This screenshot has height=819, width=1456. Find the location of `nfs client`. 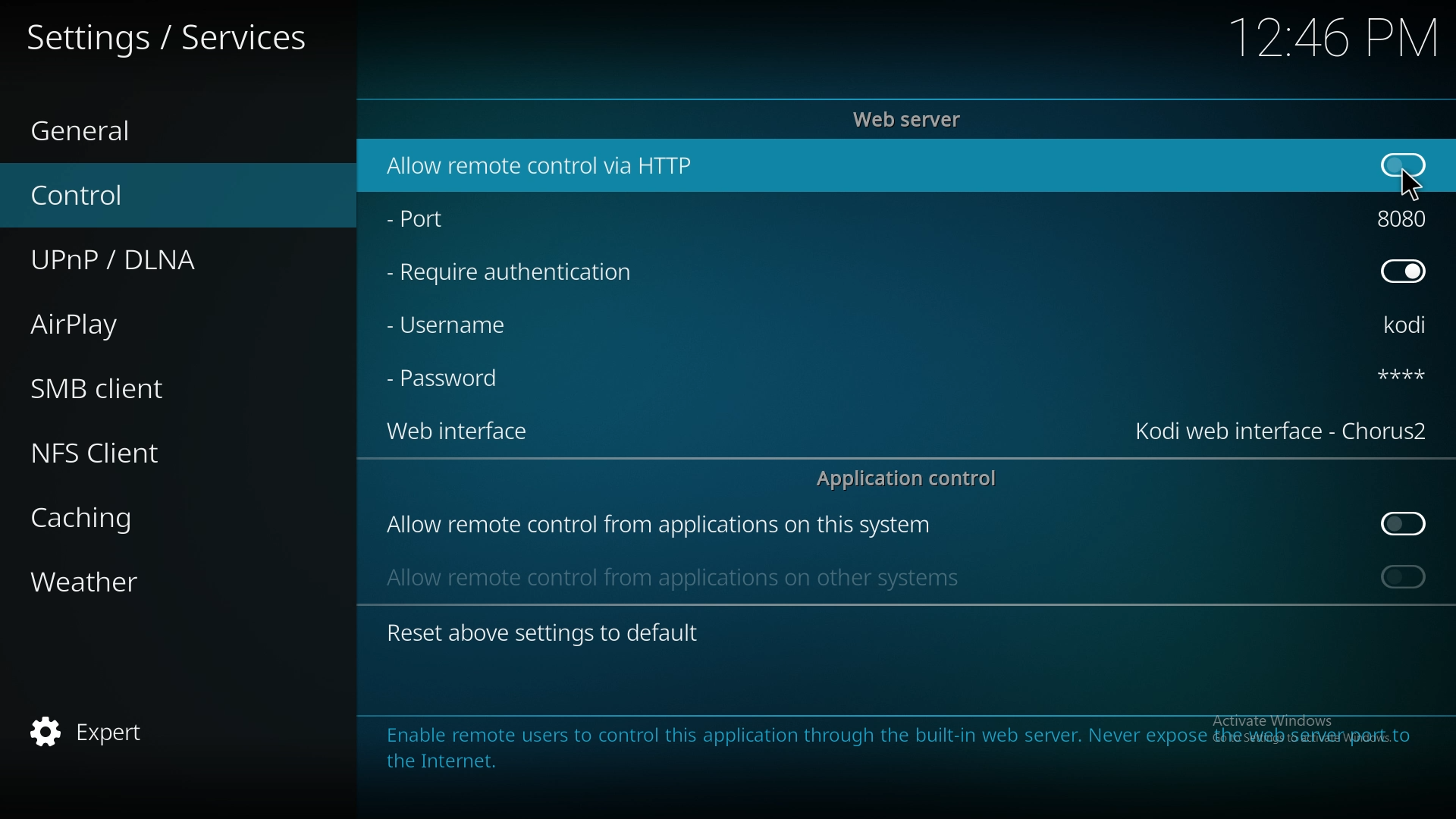

nfs client is located at coordinates (124, 453).